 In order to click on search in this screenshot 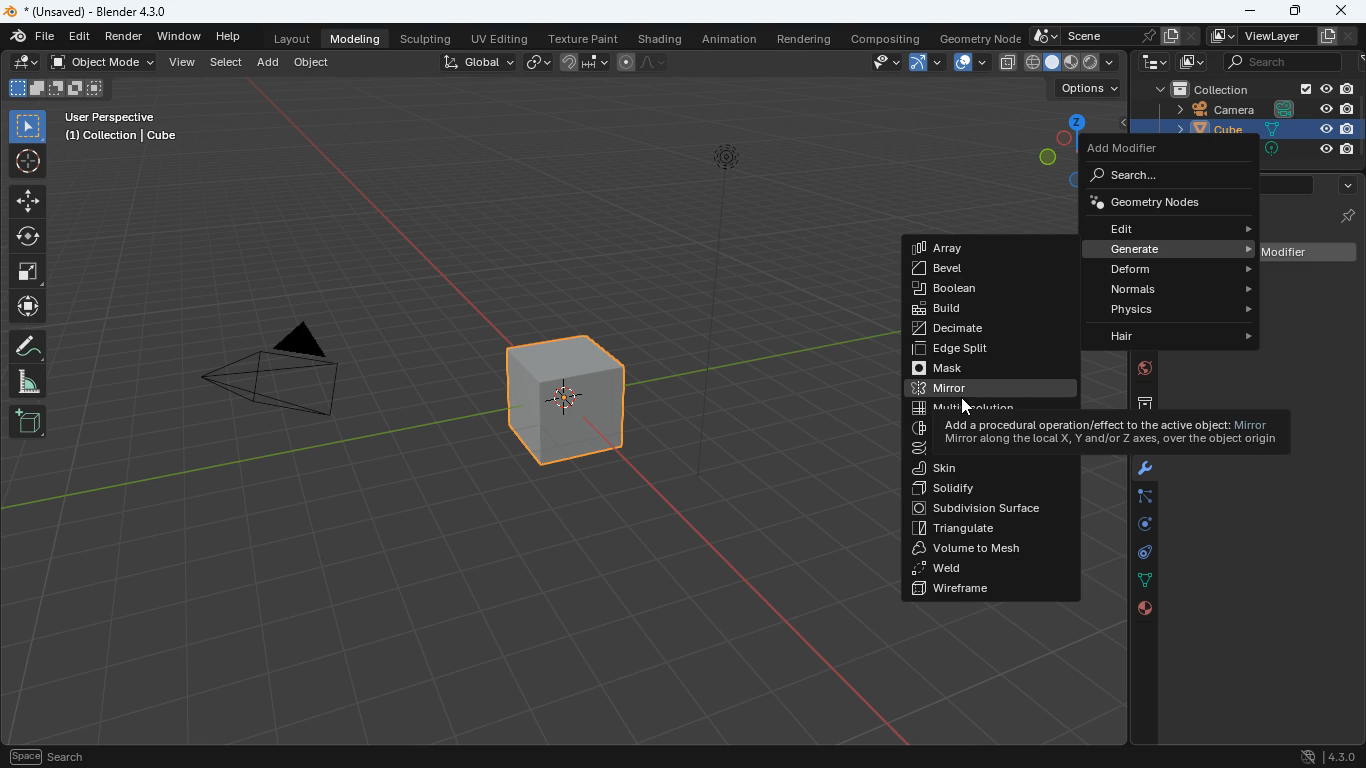, I will do `click(1277, 63)`.